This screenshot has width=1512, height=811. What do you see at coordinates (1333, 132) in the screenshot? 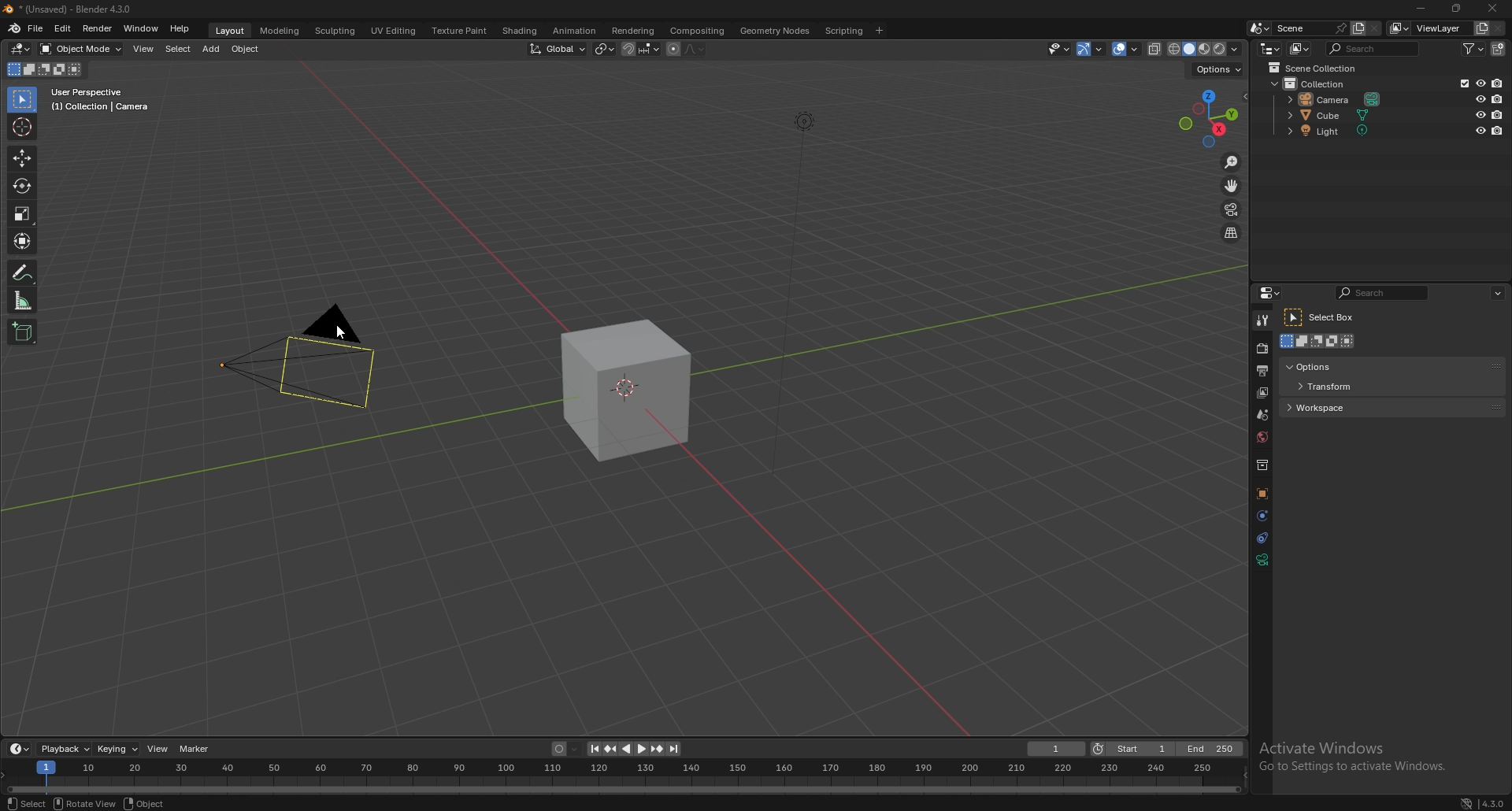
I see `light` at bounding box center [1333, 132].